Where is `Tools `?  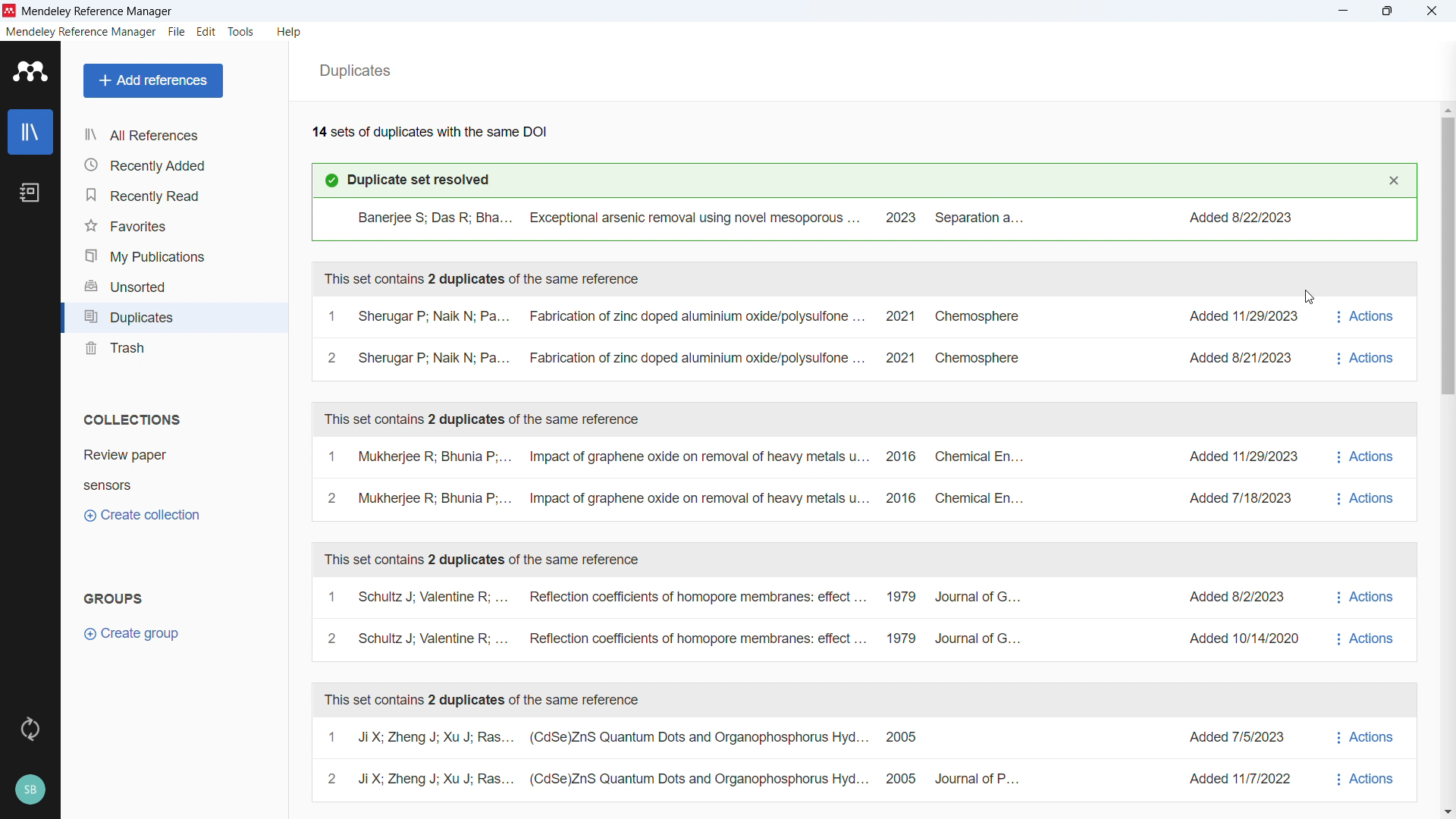
Tools  is located at coordinates (241, 33).